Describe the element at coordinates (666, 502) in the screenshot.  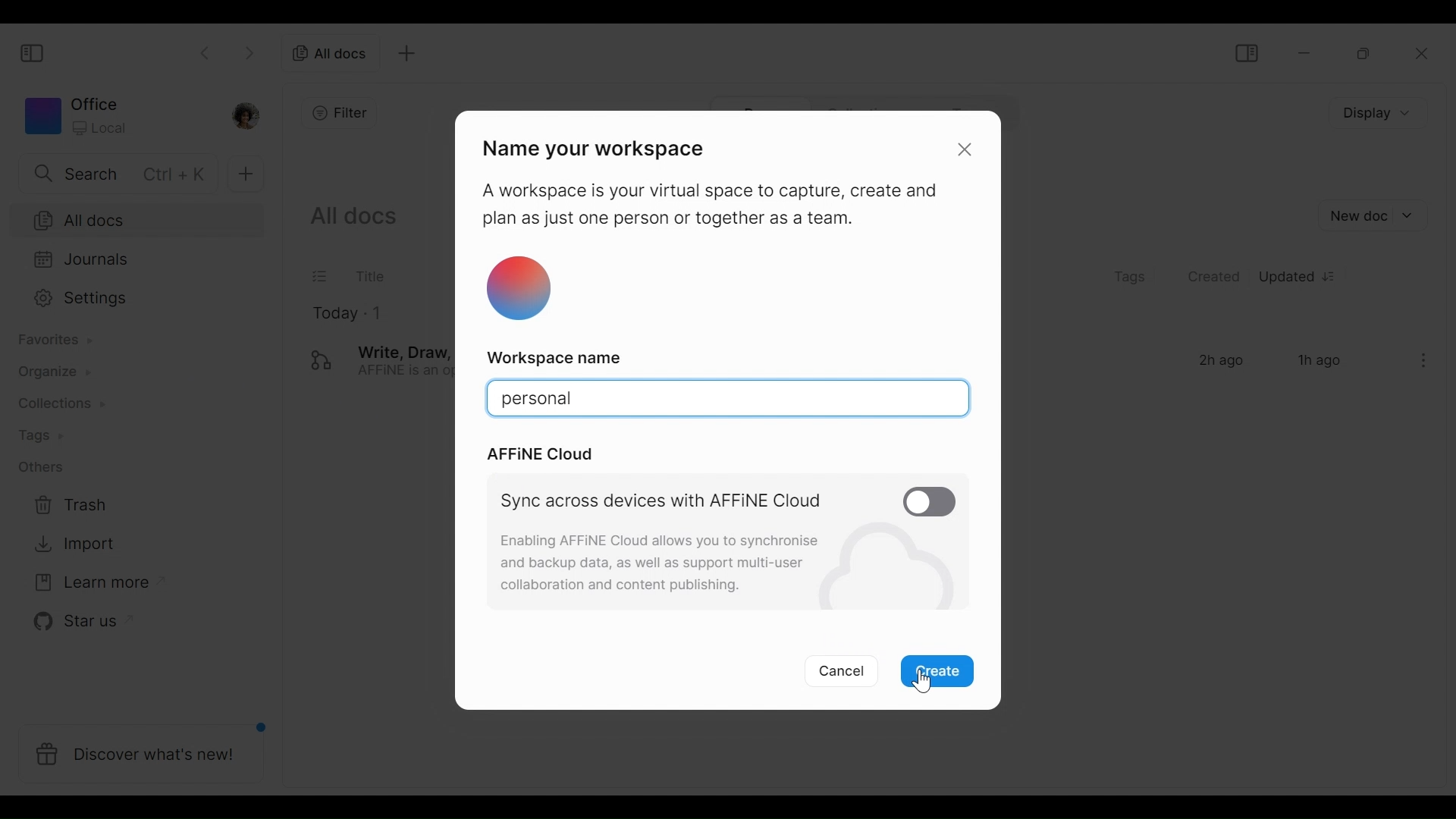
I see `Sync across devices with AFFINE Cloud` at that location.